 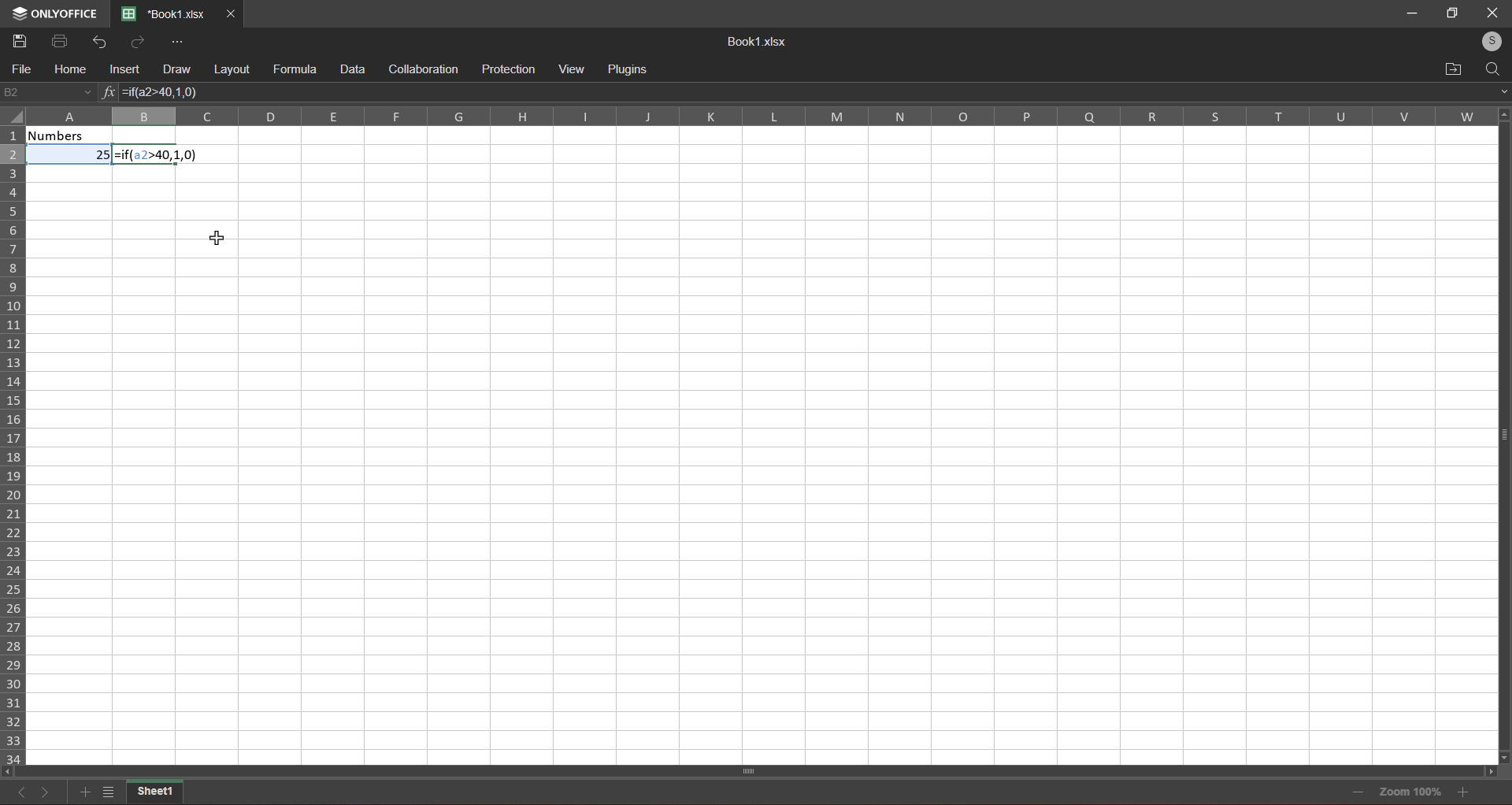 What do you see at coordinates (173, 68) in the screenshot?
I see `draw` at bounding box center [173, 68].